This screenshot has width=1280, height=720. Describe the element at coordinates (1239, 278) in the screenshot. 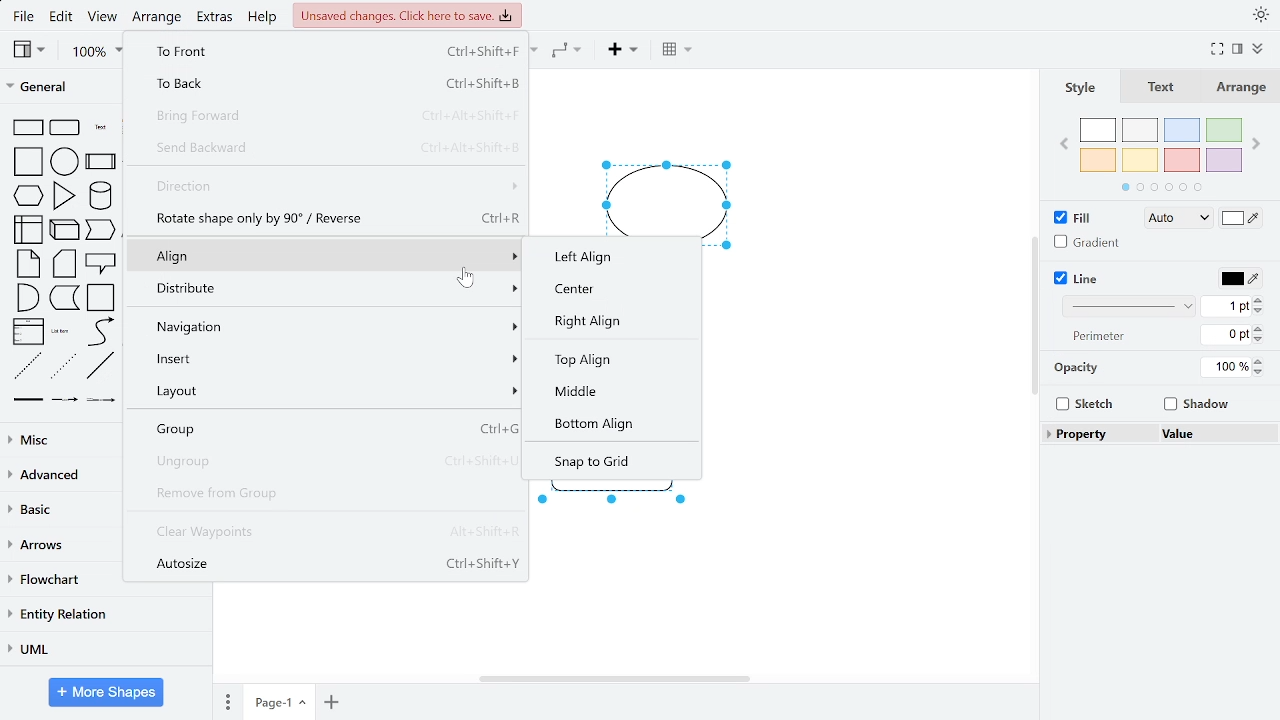

I see `line color` at that location.